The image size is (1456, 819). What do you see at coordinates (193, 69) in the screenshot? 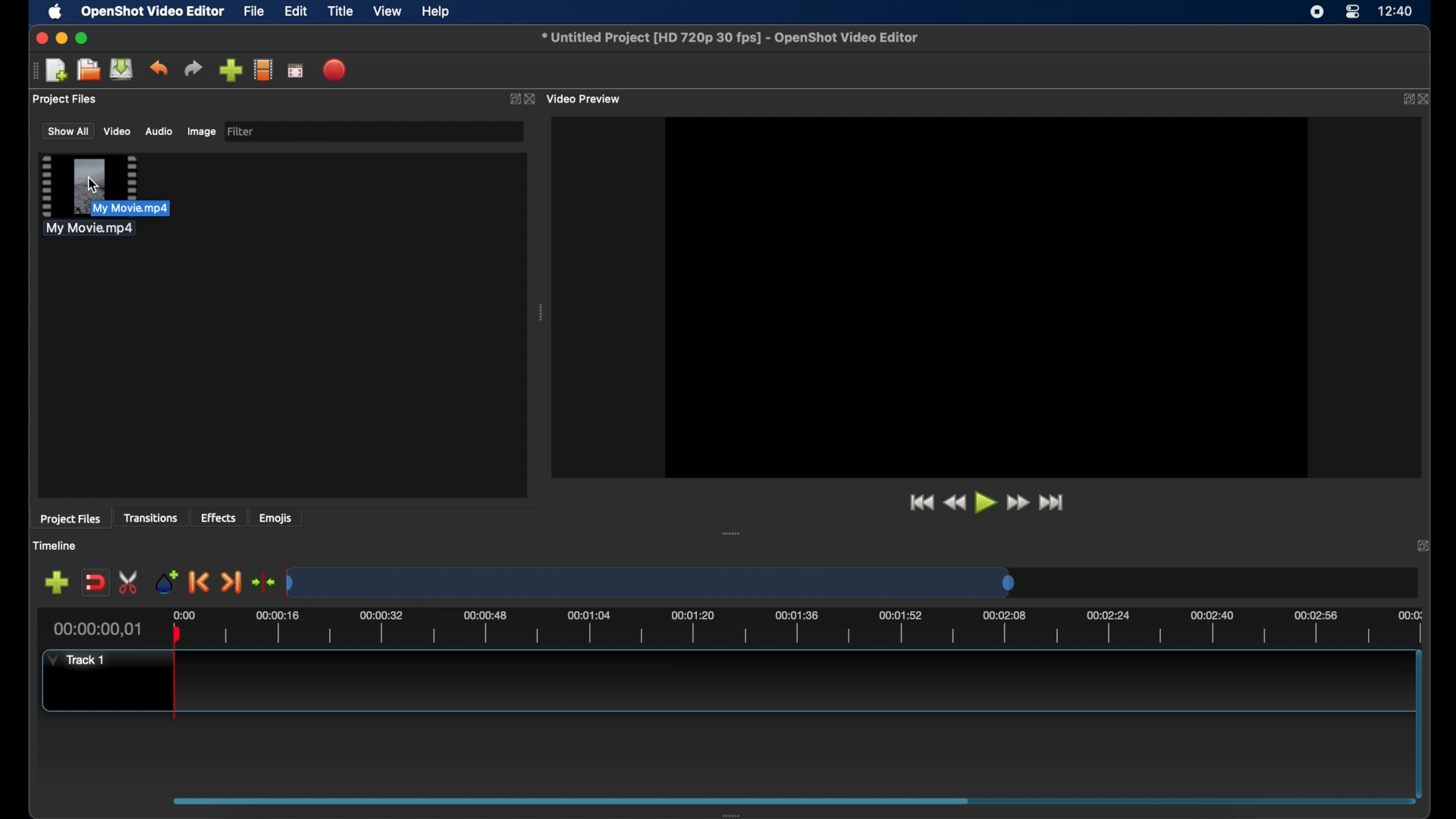
I see `redo` at bounding box center [193, 69].